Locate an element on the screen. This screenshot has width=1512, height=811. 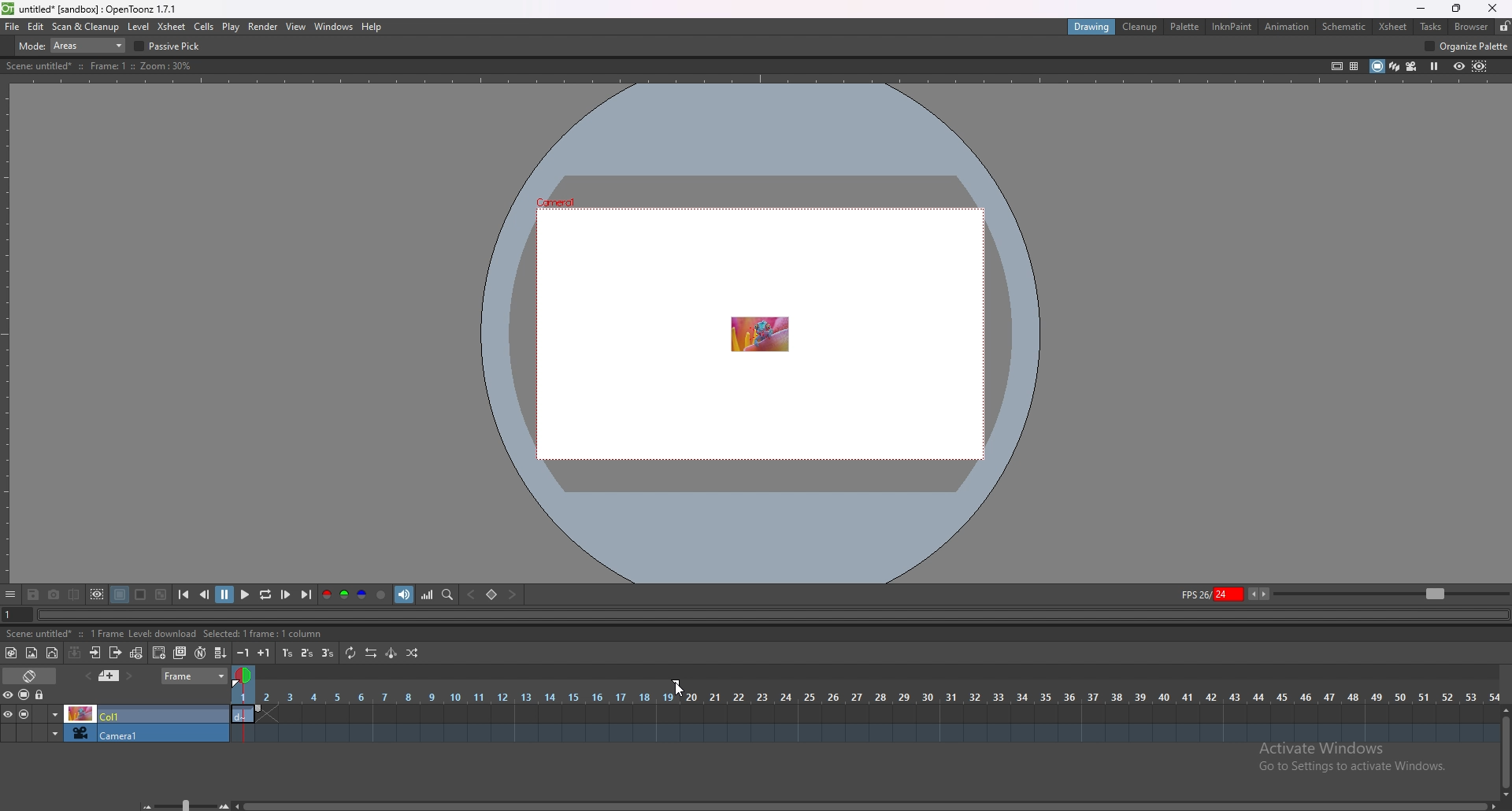
mode is located at coordinates (72, 45).